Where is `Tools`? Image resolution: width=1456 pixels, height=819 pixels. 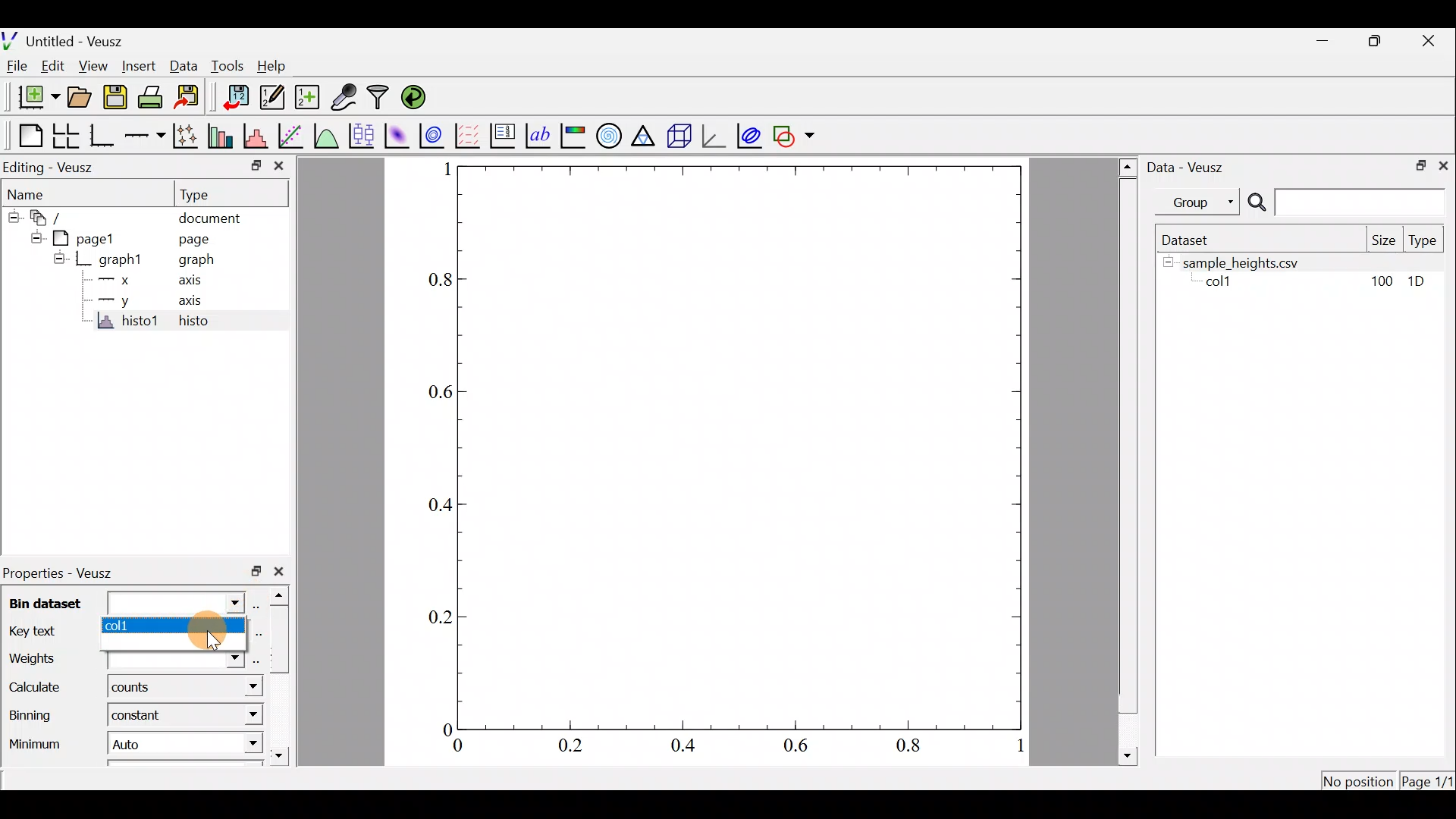 Tools is located at coordinates (227, 66).